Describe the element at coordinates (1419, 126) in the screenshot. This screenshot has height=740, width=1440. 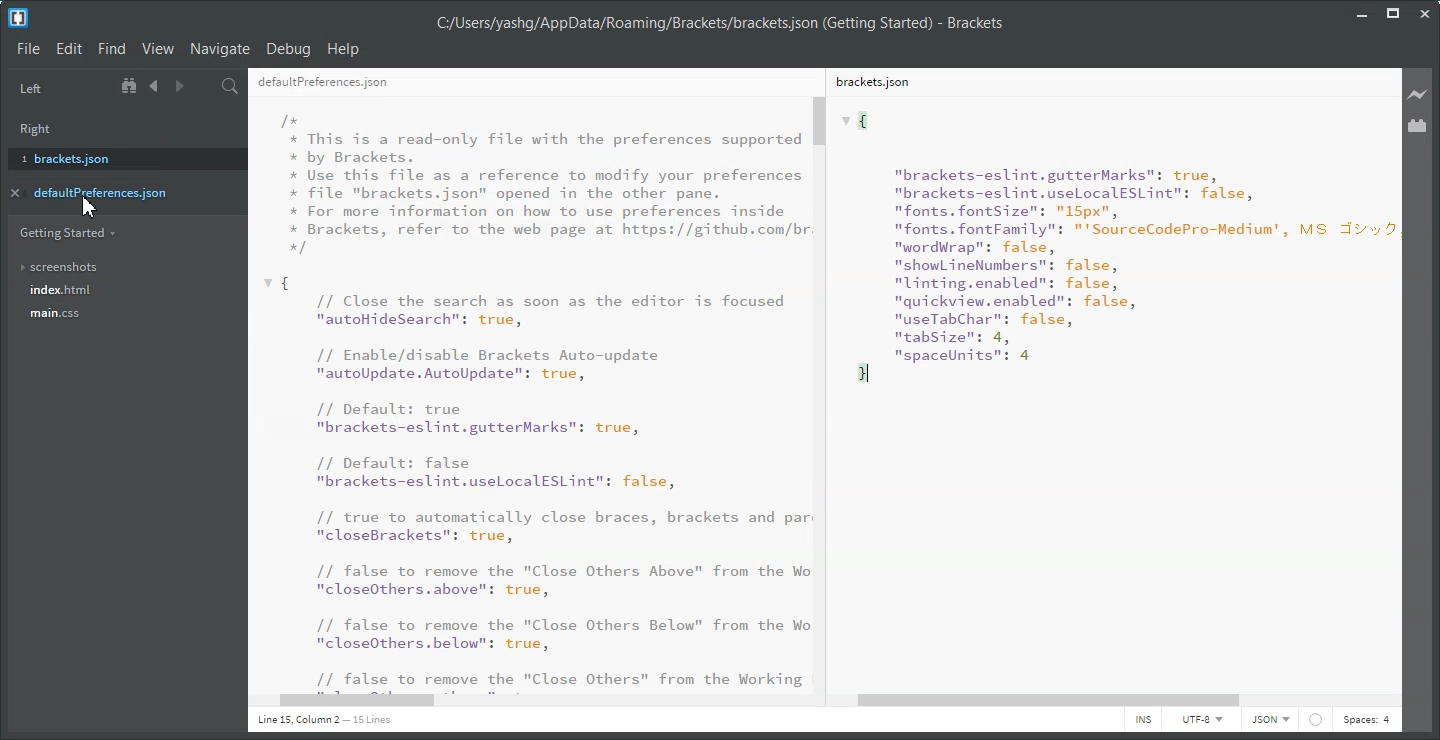
I see `Extension Manager` at that location.